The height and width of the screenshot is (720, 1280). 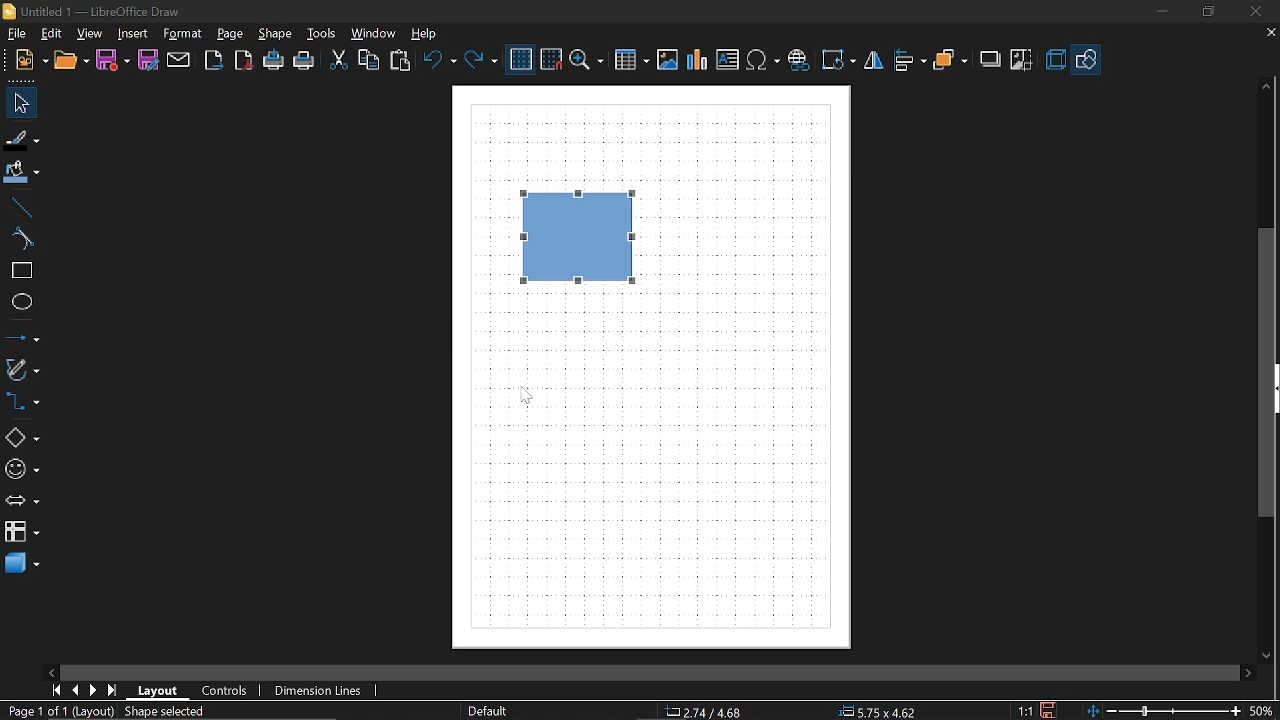 I want to click on 3d effects, so click(x=1055, y=60).